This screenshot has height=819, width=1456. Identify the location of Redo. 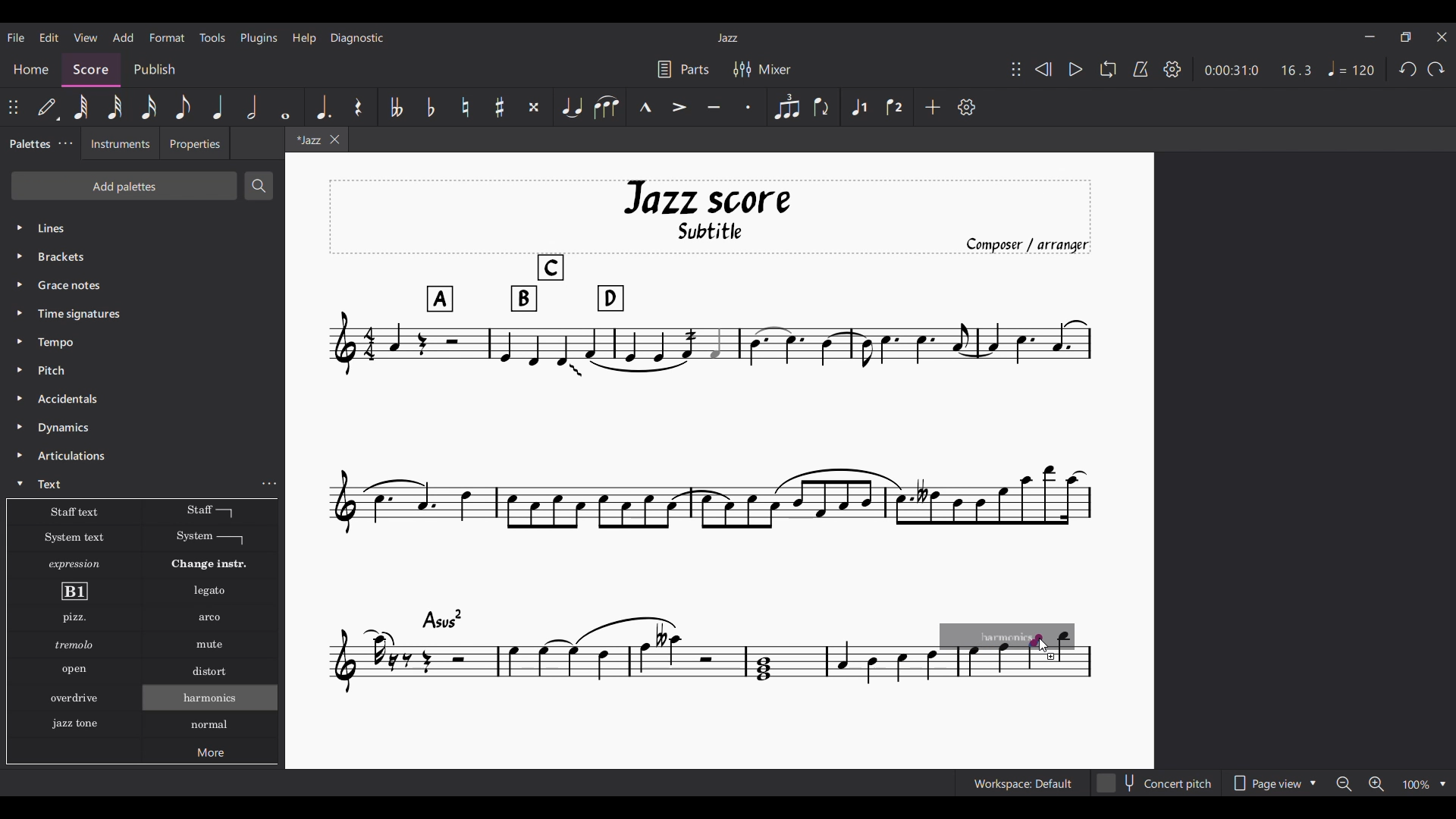
(1436, 69).